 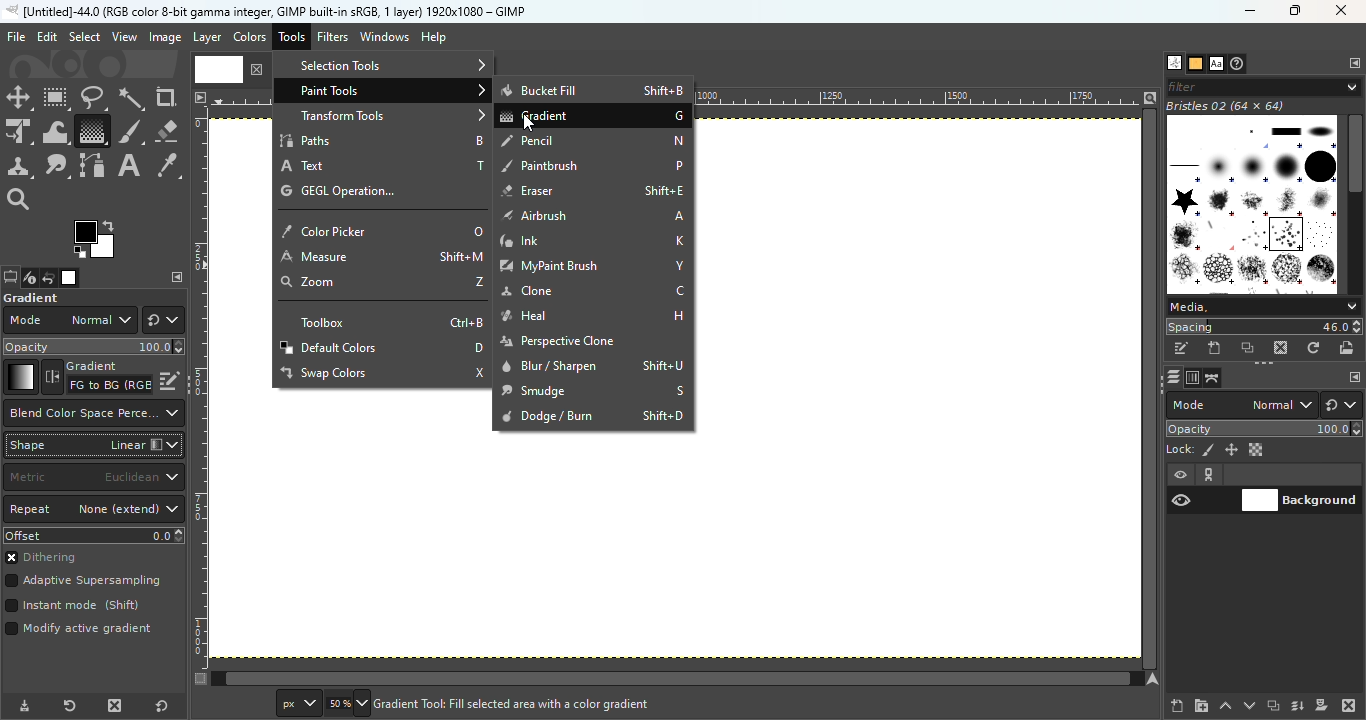 What do you see at coordinates (380, 139) in the screenshot?
I see `Paths` at bounding box center [380, 139].